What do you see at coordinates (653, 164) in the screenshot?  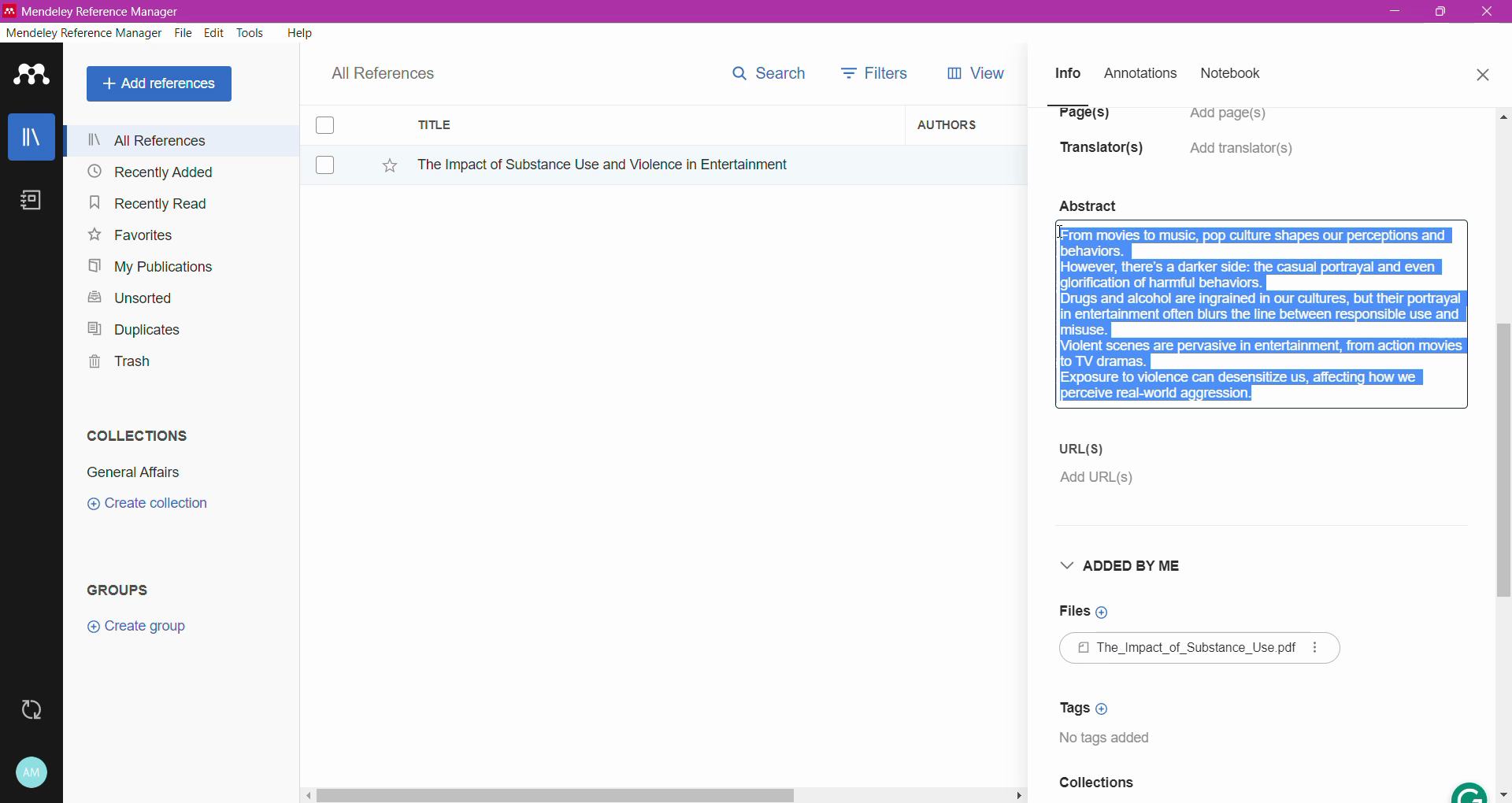 I see `Reference Title` at bounding box center [653, 164].